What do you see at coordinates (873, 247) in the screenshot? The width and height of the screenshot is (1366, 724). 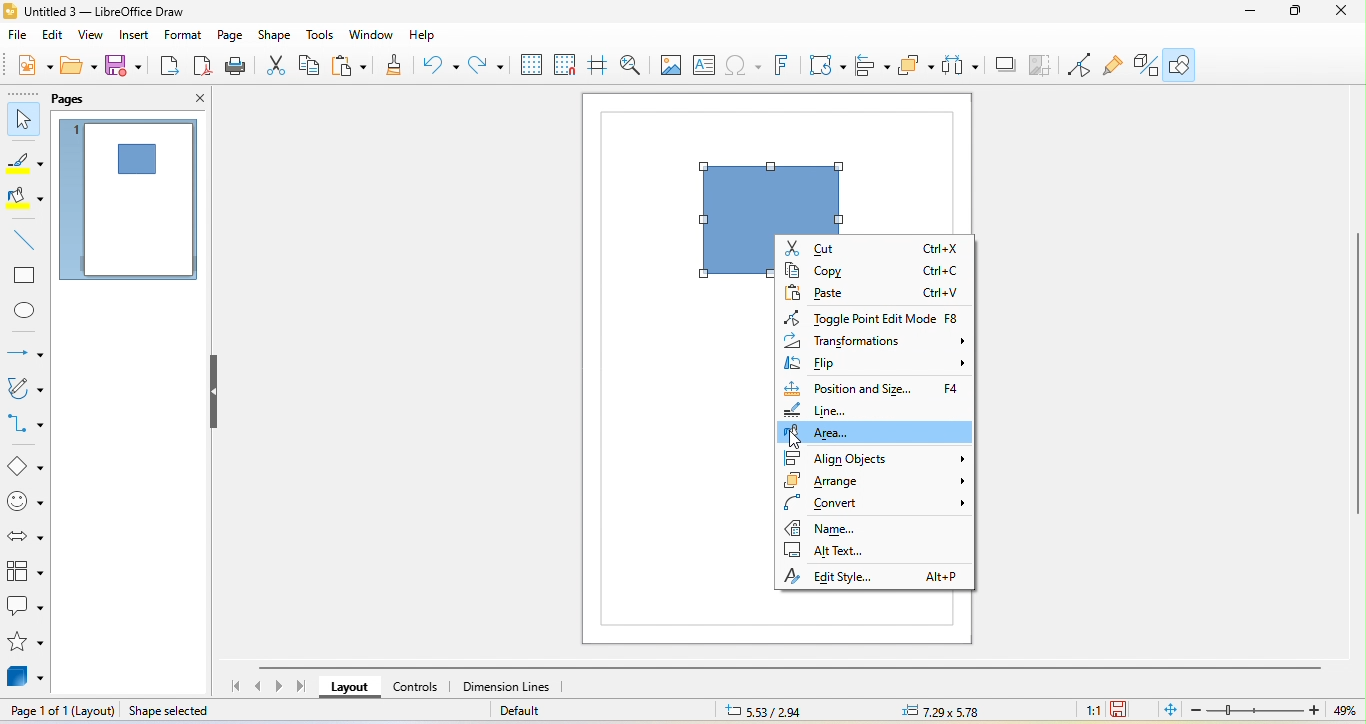 I see `cut` at bounding box center [873, 247].